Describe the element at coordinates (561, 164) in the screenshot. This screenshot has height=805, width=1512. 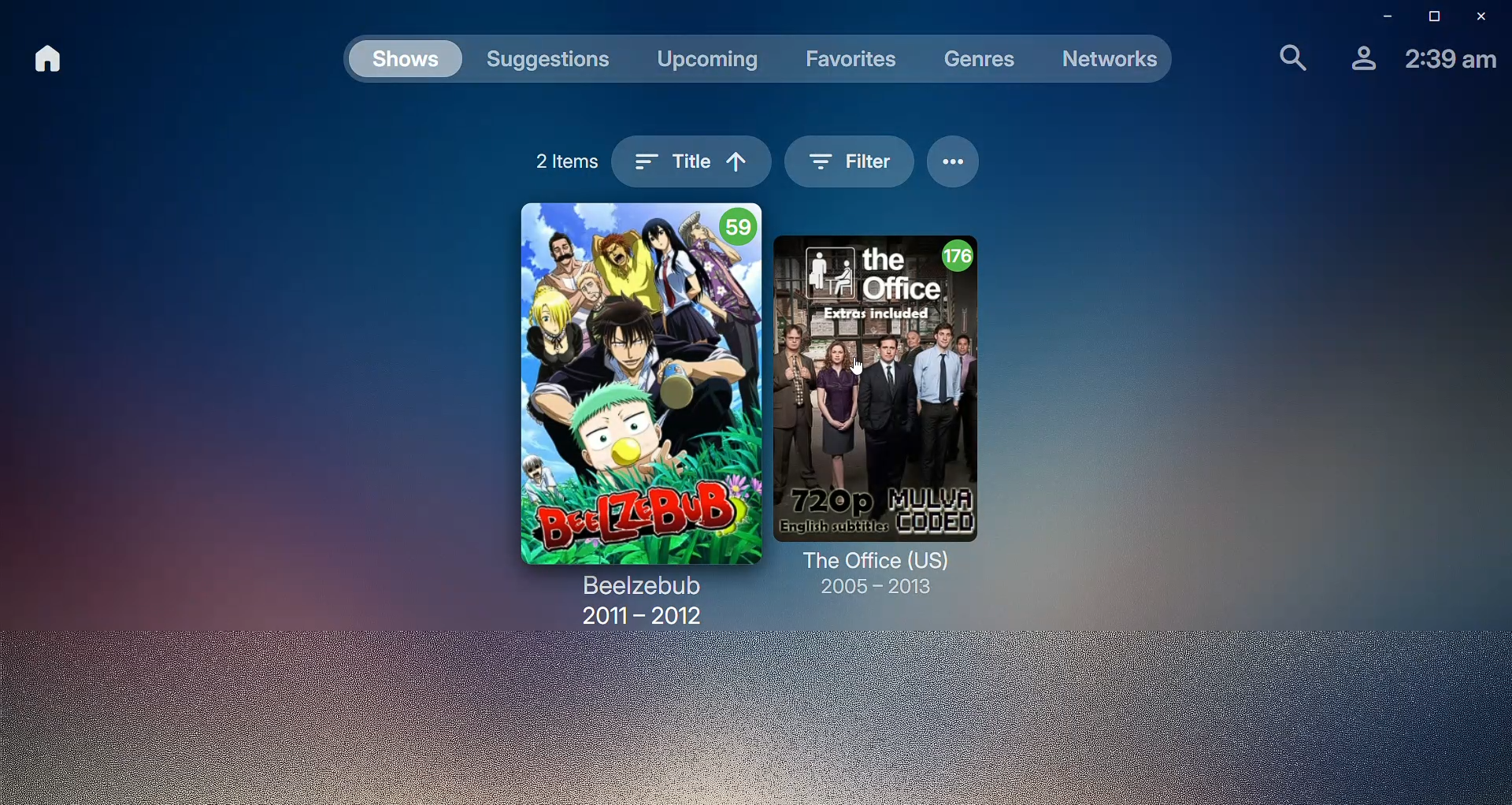
I see `2 items` at that location.